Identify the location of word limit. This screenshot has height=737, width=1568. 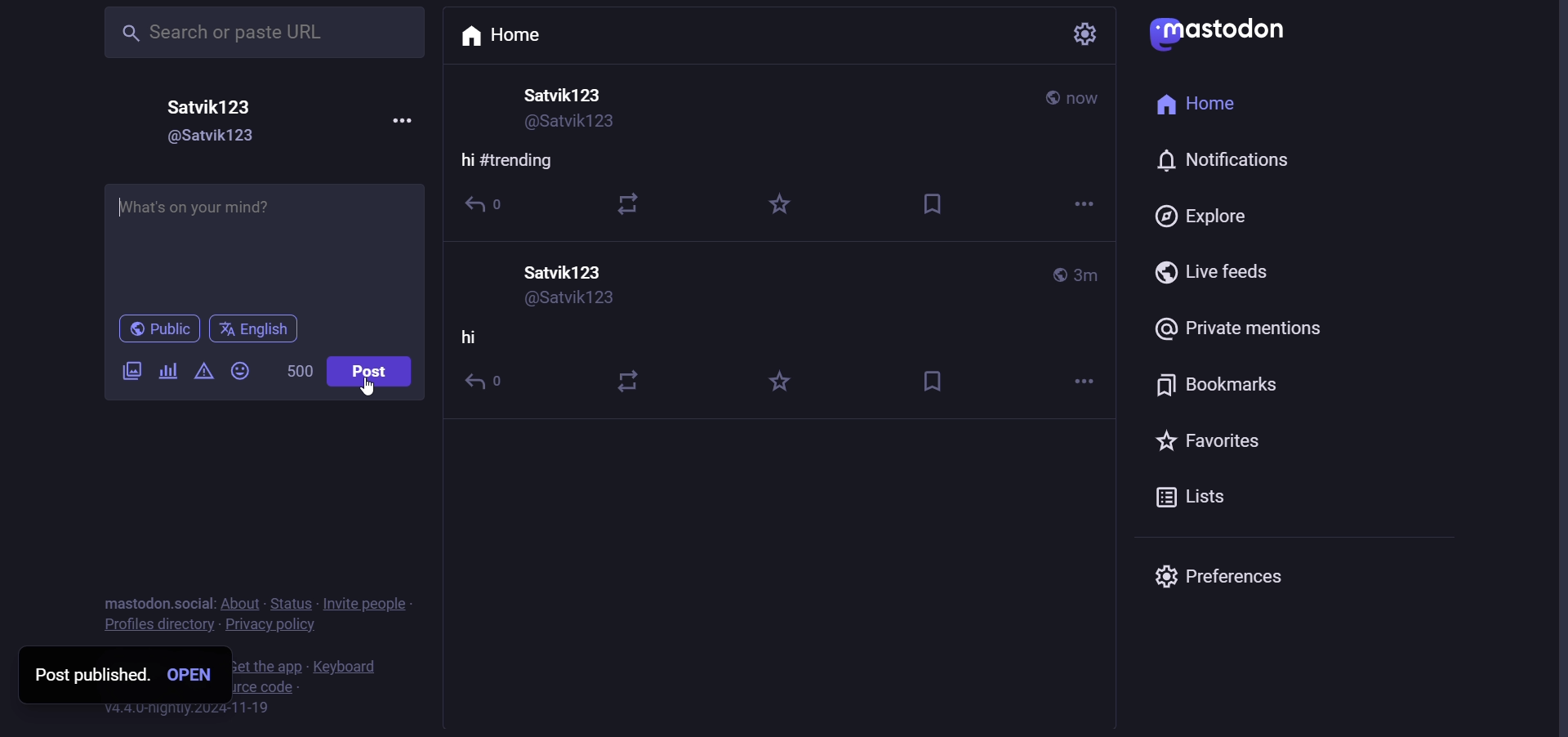
(299, 370).